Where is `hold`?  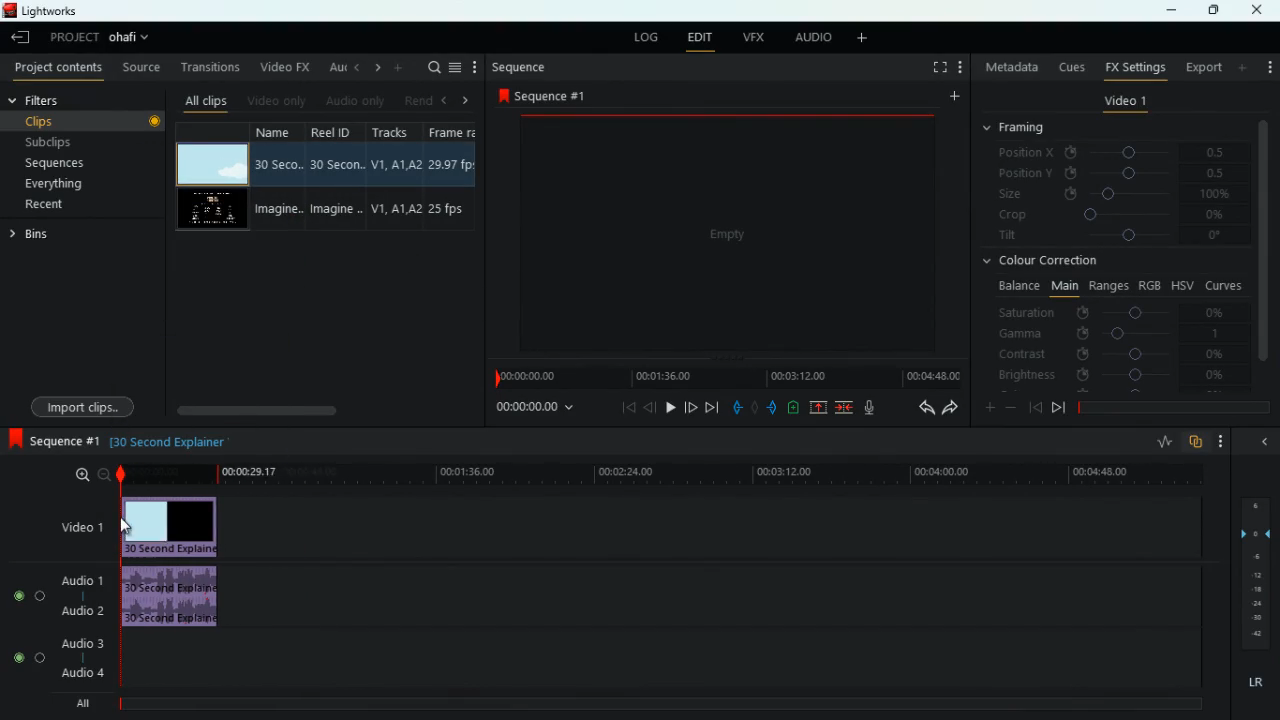 hold is located at coordinates (754, 407).